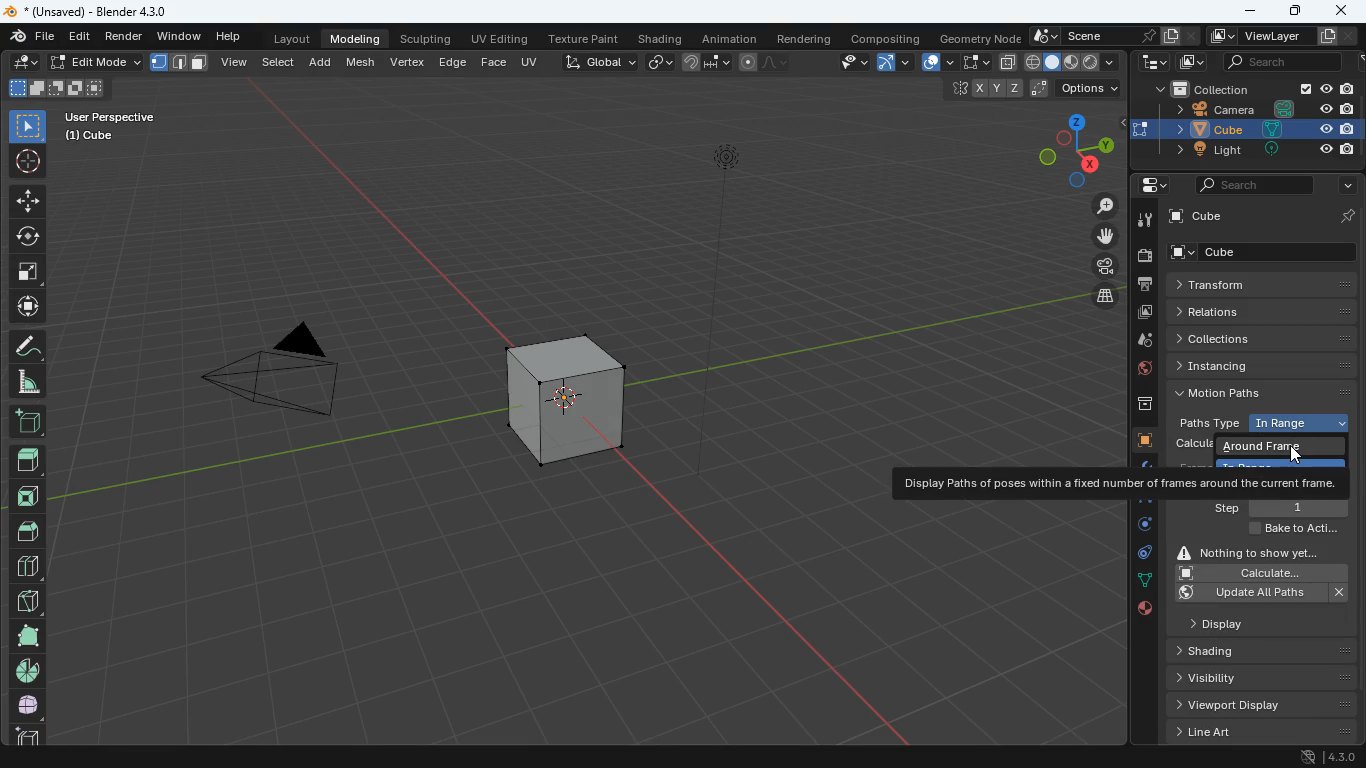 This screenshot has width=1366, height=768. I want to click on fullscreen, so click(974, 61).